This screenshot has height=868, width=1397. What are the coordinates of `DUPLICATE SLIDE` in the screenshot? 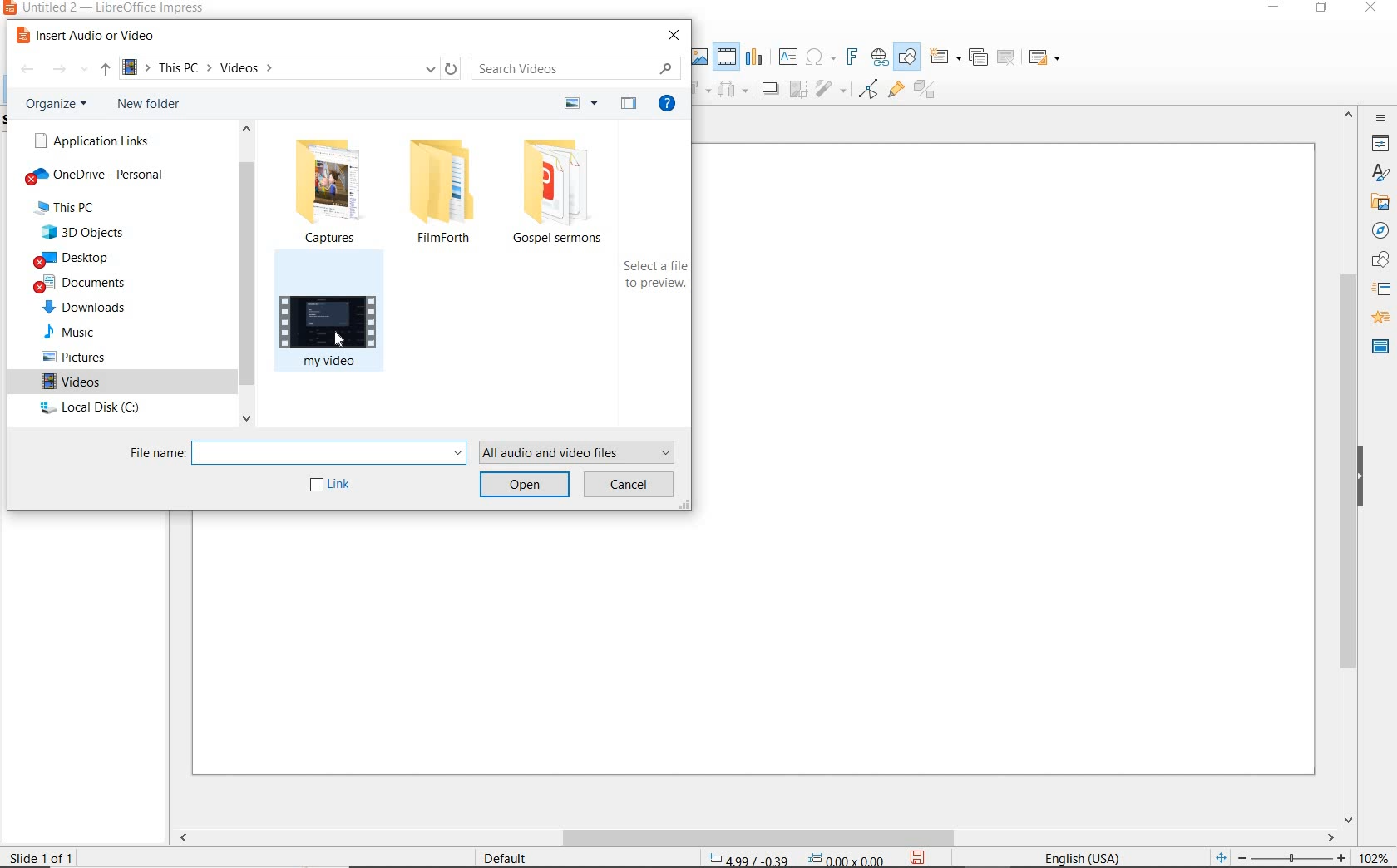 It's located at (979, 59).